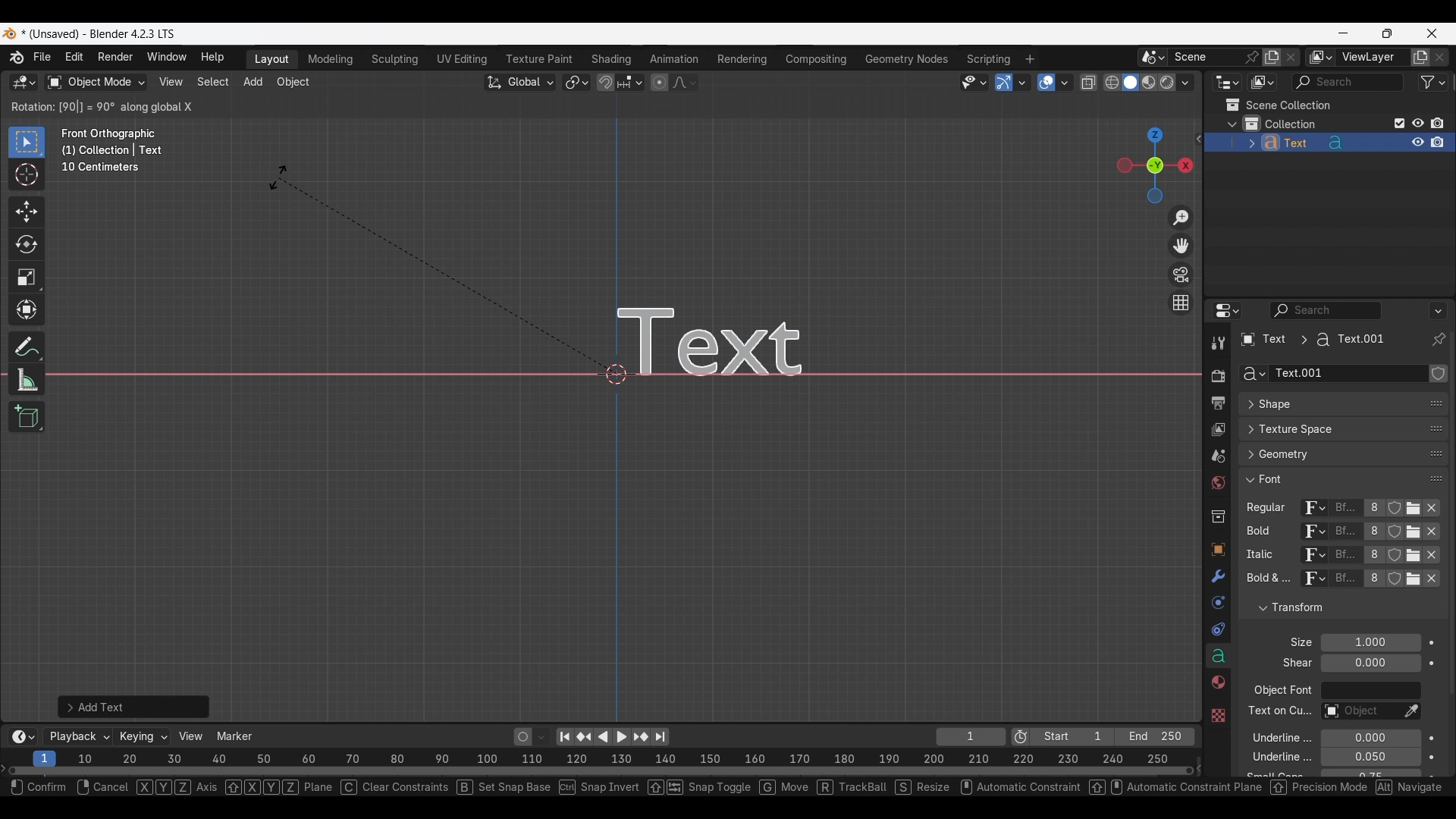  I want to click on Name view layer, so click(1373, 58).